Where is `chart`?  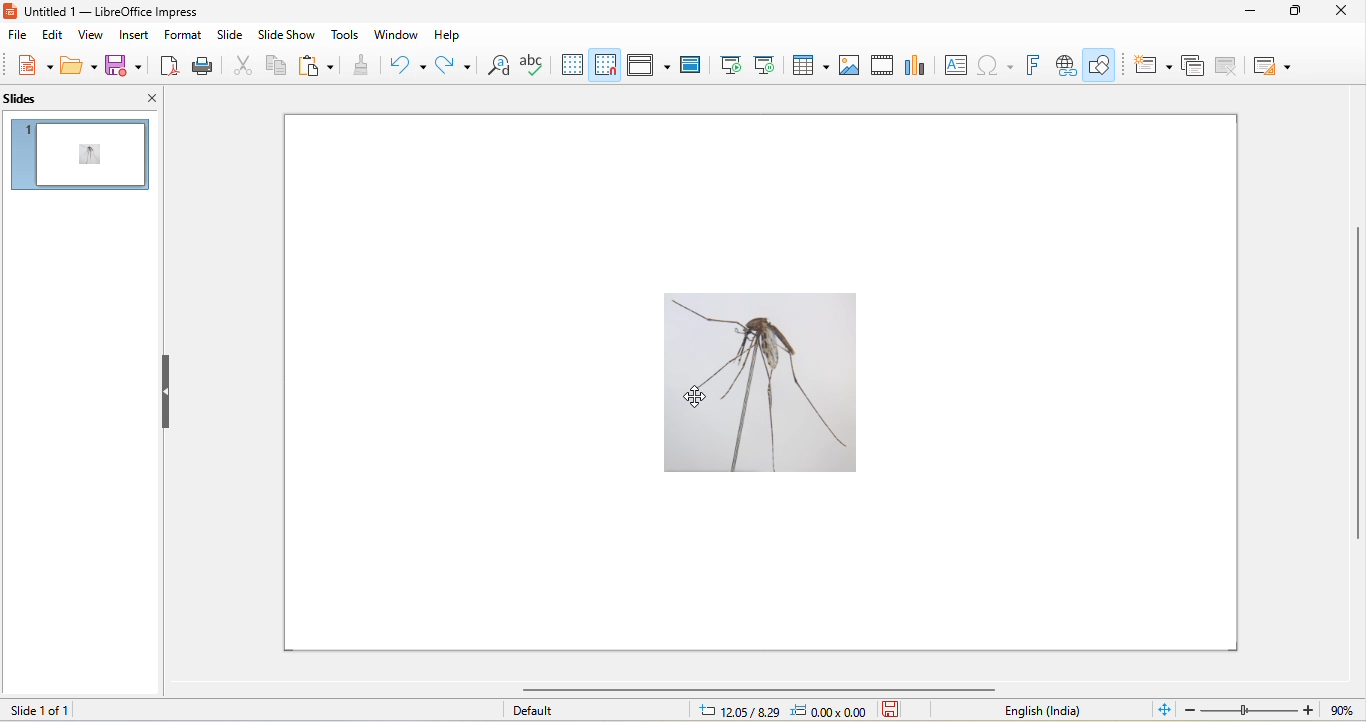 chart is located at coordinates (915, 66).